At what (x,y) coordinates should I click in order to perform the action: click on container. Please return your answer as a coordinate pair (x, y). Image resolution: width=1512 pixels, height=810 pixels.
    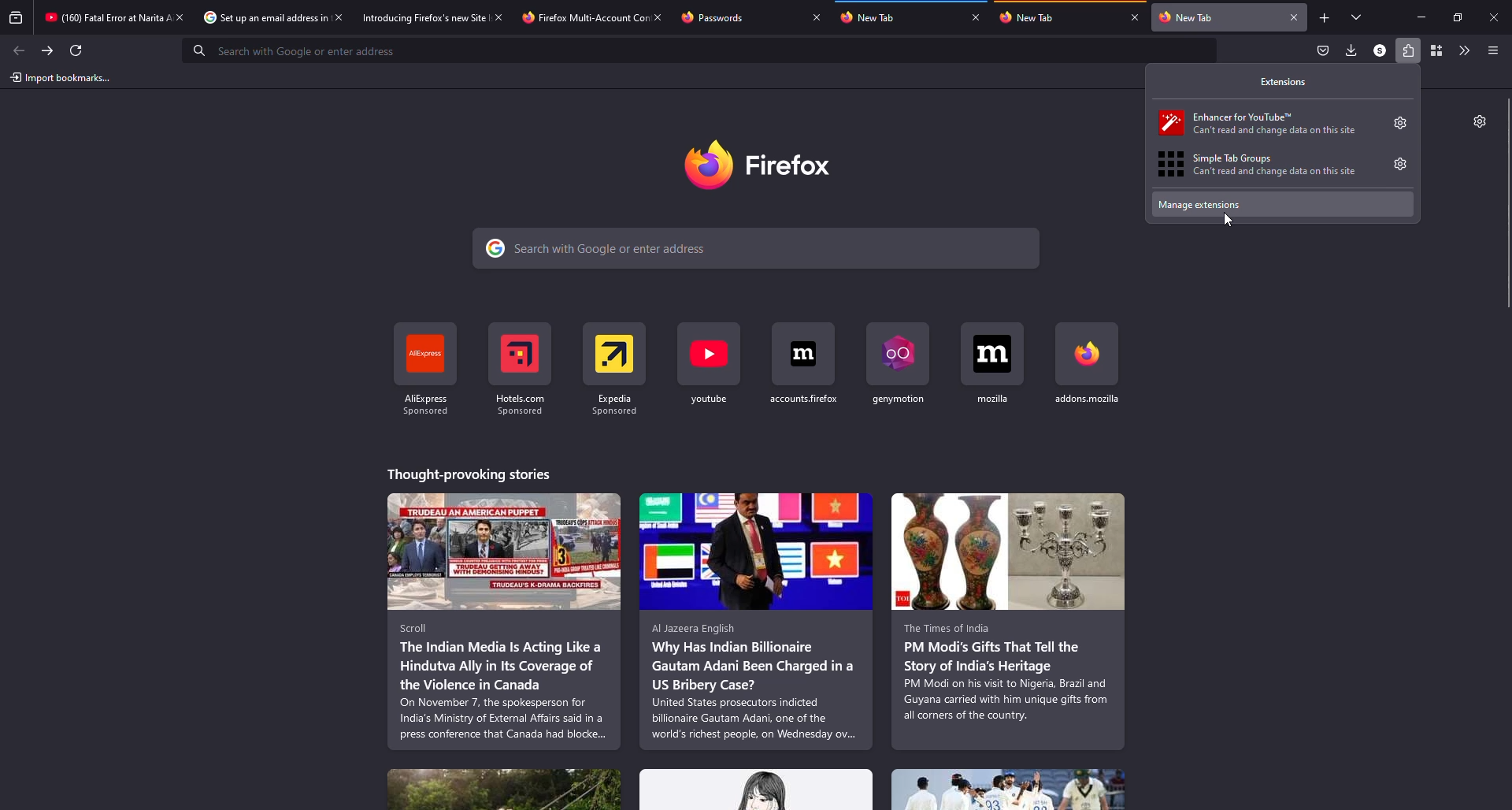
    Looking at the image, I should click on (1436, 50).